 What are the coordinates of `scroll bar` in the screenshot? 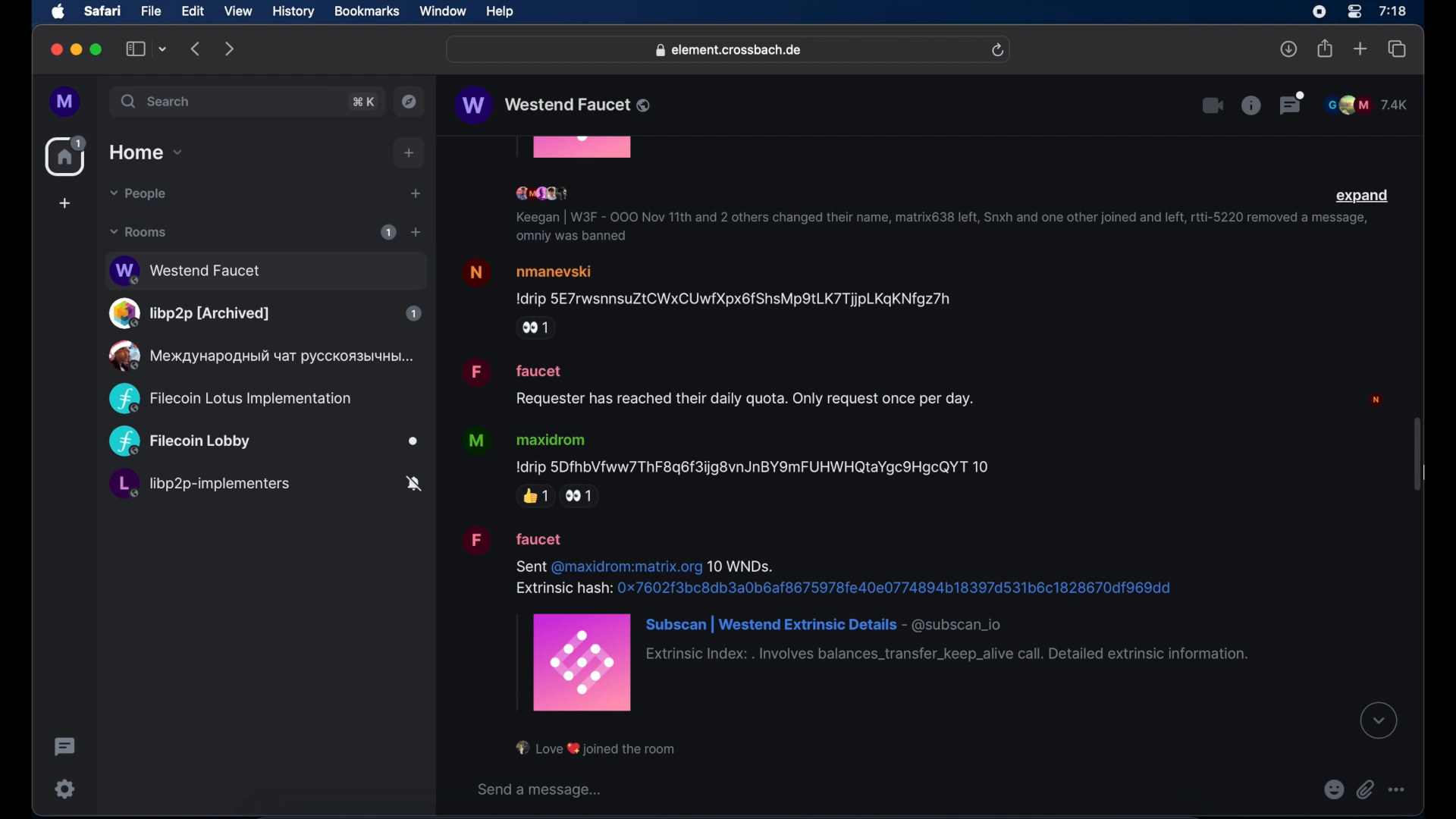 It's located at (1417, 456).